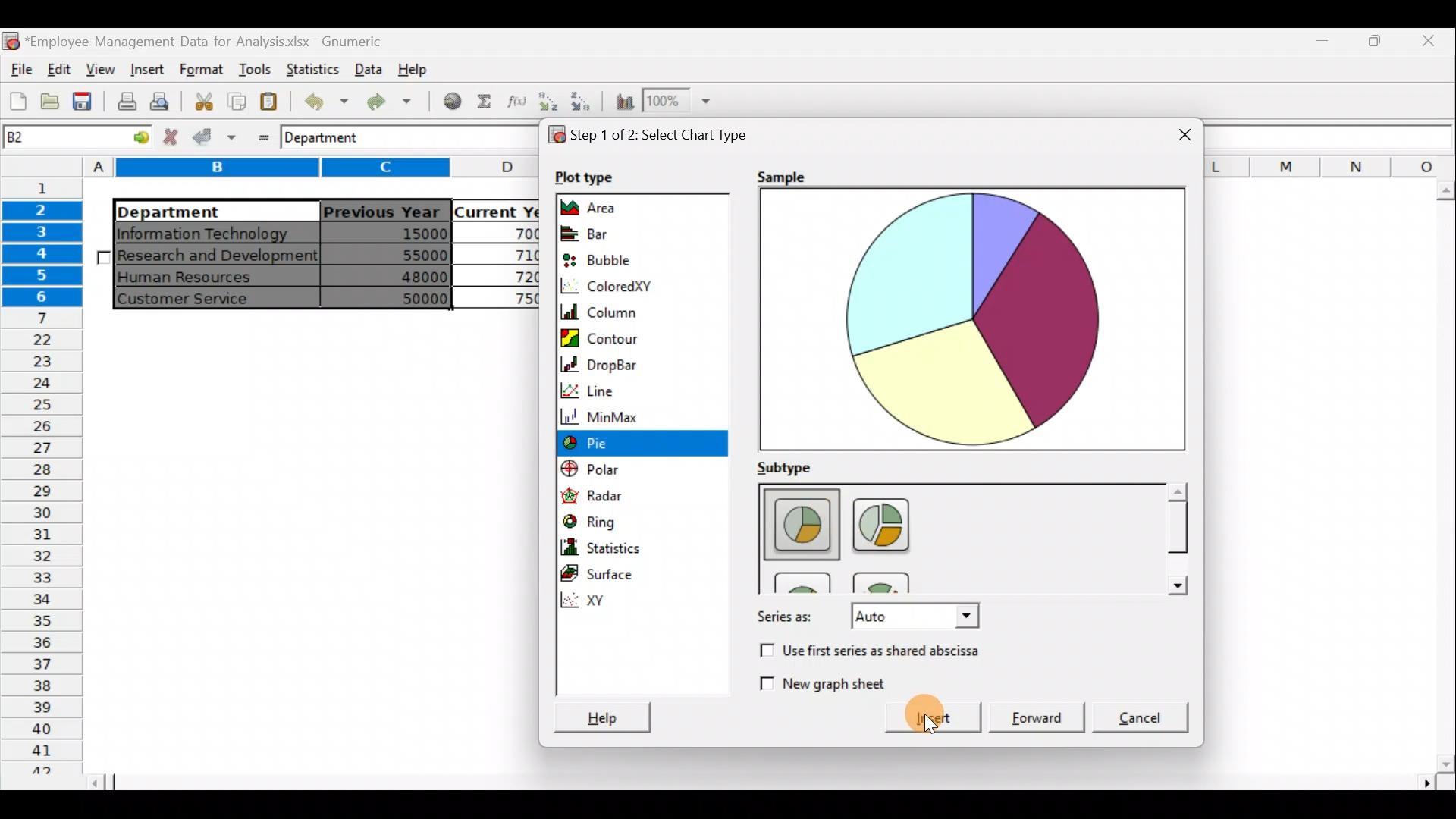 The height and width of the screenshot is (819, 1456). What do you see at coordinates (215, 137) in the screenshot?
I see `Accept change` at bounding box center [215, 137].